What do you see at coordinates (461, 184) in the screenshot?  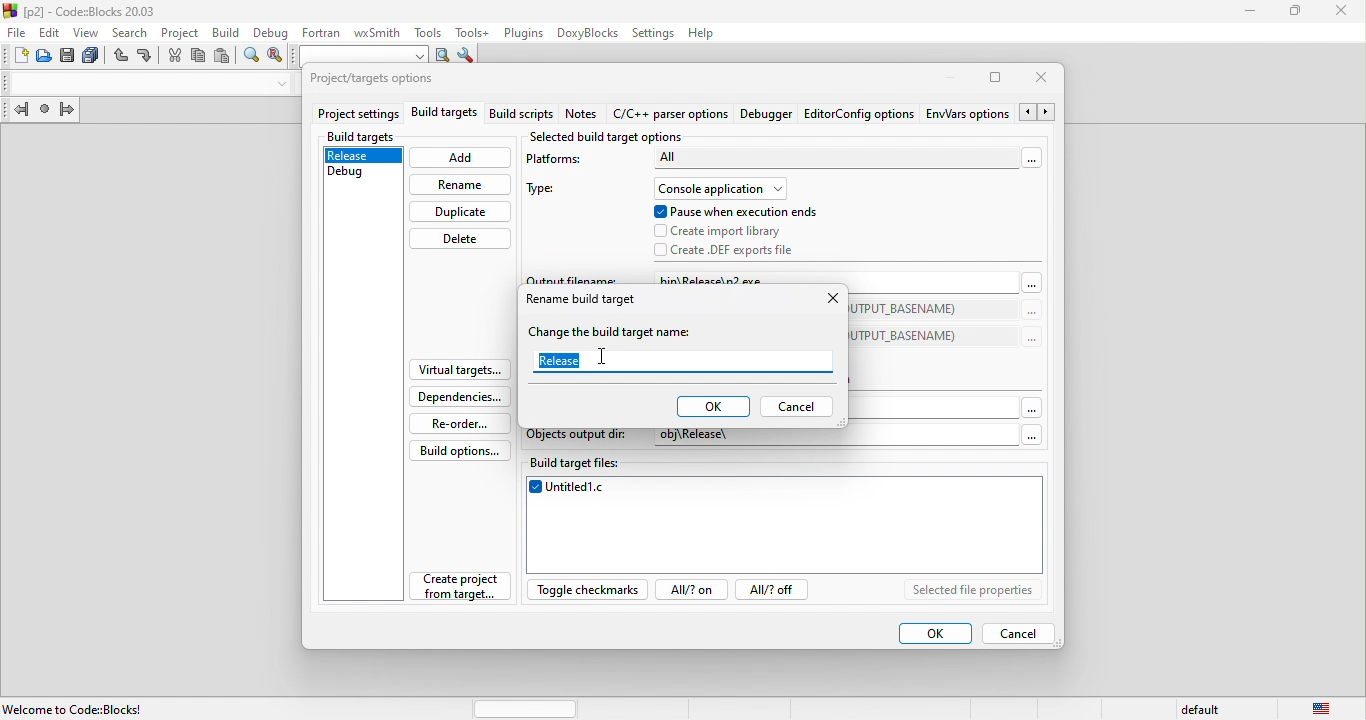 I see `rename` at bounding box center [461, 184].